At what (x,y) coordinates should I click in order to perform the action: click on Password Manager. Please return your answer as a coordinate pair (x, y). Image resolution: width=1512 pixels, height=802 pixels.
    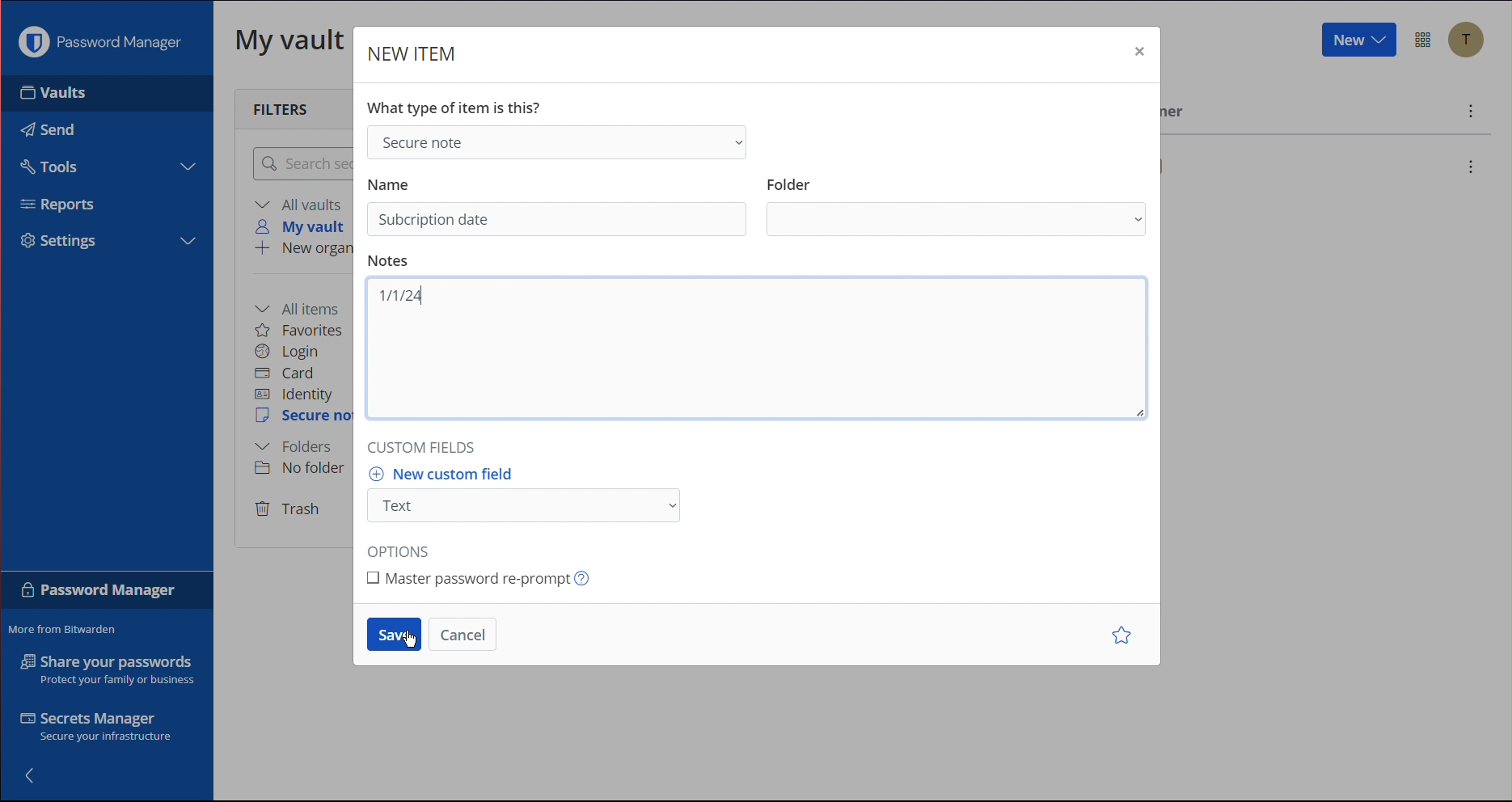
    Looking at the image, I should click on (104, 42).